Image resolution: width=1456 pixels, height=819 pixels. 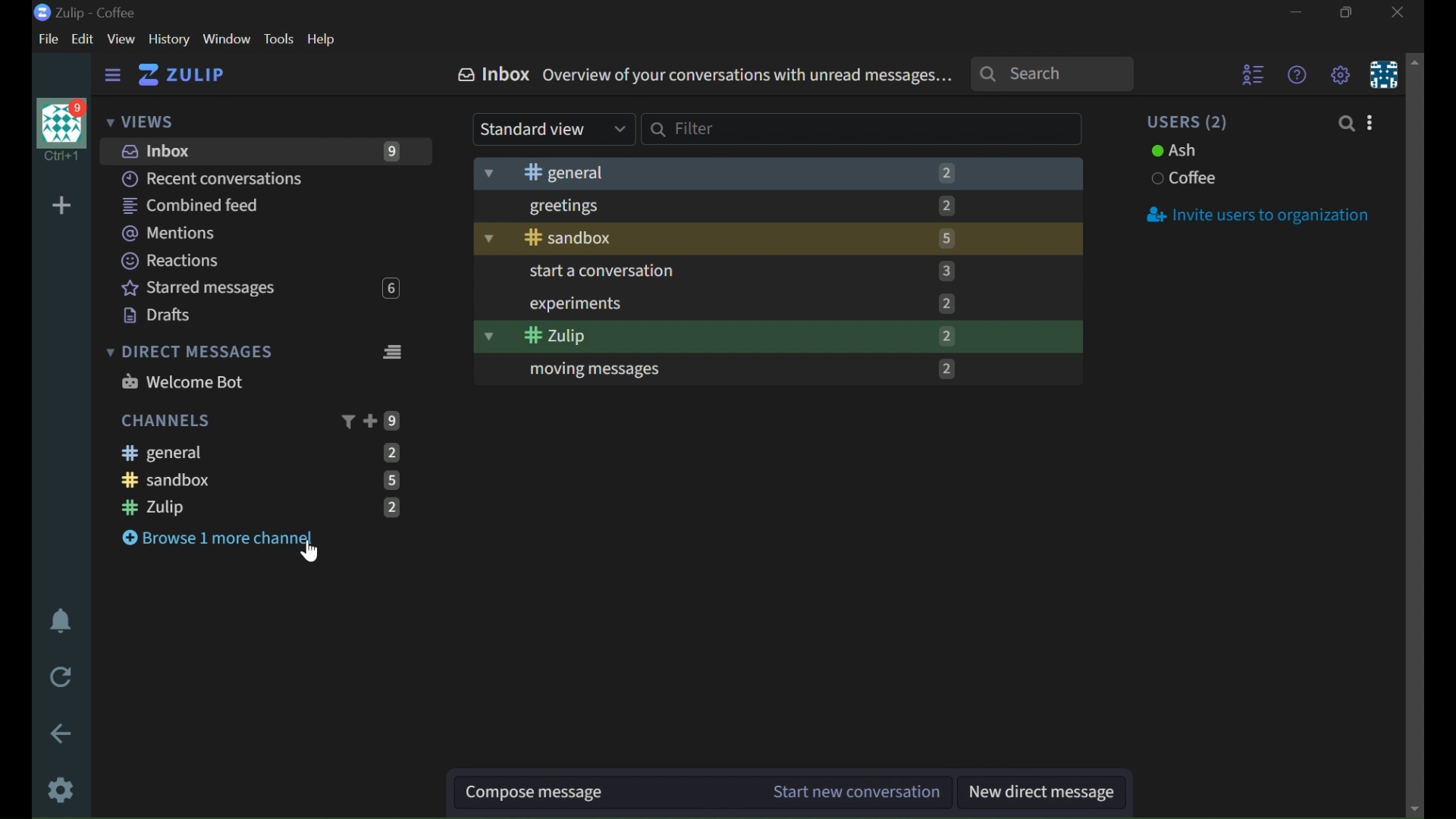 What do you see at coordinates (1416, 435) in the screenshot?
I see `SCROLLBAR` at bounding box center [1416, 435].